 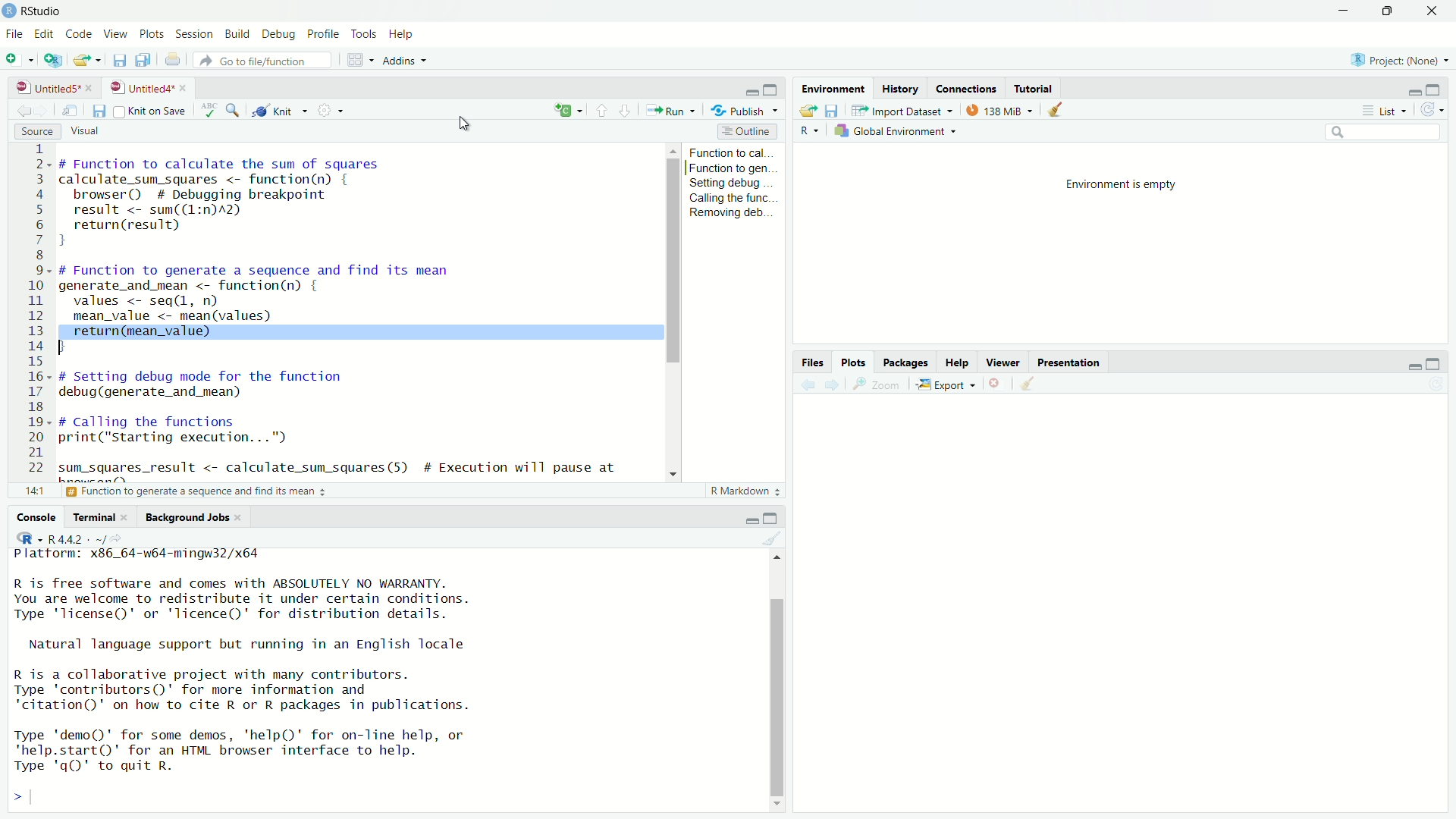 I want to click on debug function, so click(x=227, y=386).